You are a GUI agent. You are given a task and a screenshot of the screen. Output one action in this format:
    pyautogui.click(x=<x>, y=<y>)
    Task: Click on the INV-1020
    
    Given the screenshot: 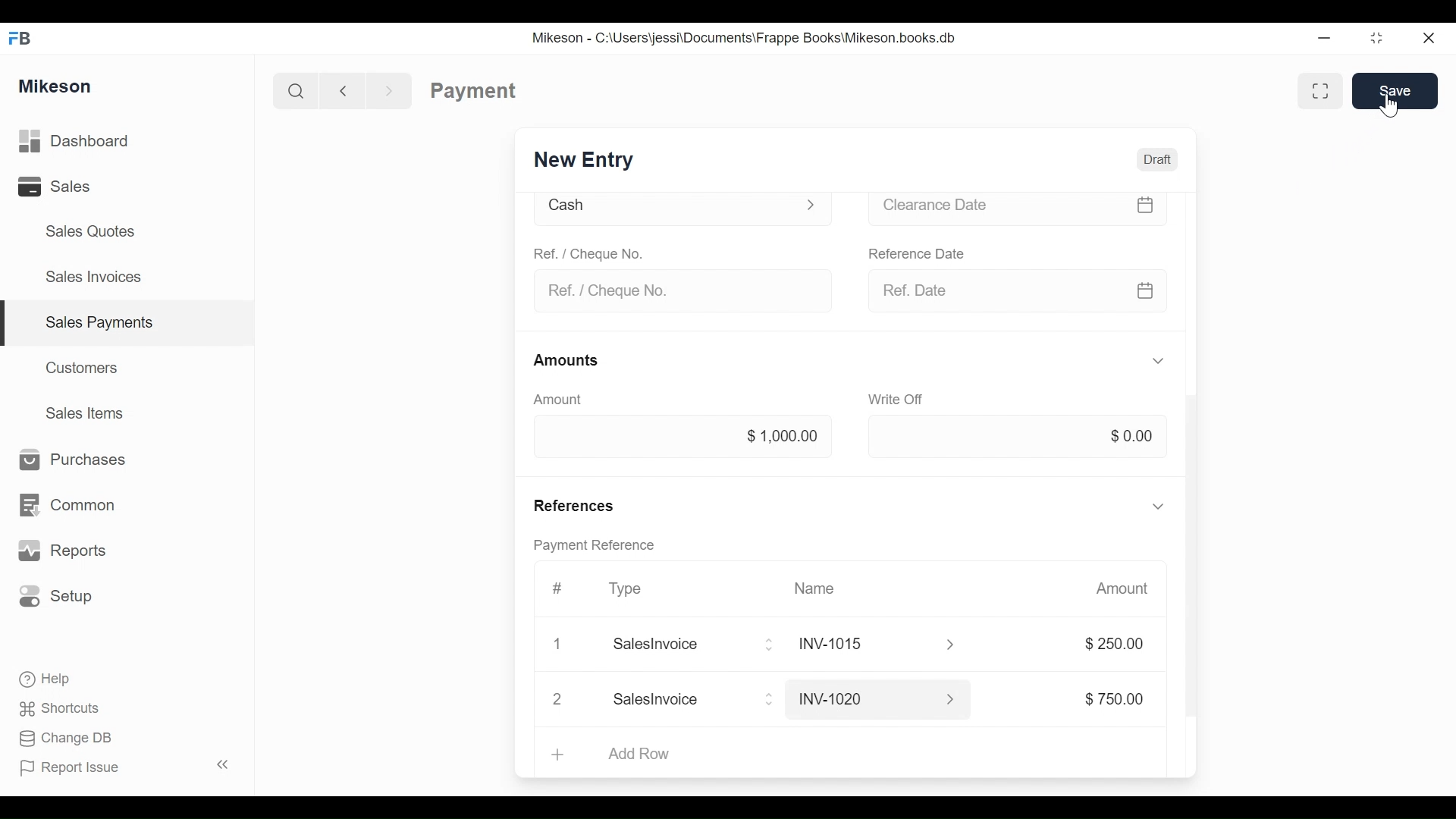 What is the action you would take?
    pyautogui.click(x=877, y=700)
    